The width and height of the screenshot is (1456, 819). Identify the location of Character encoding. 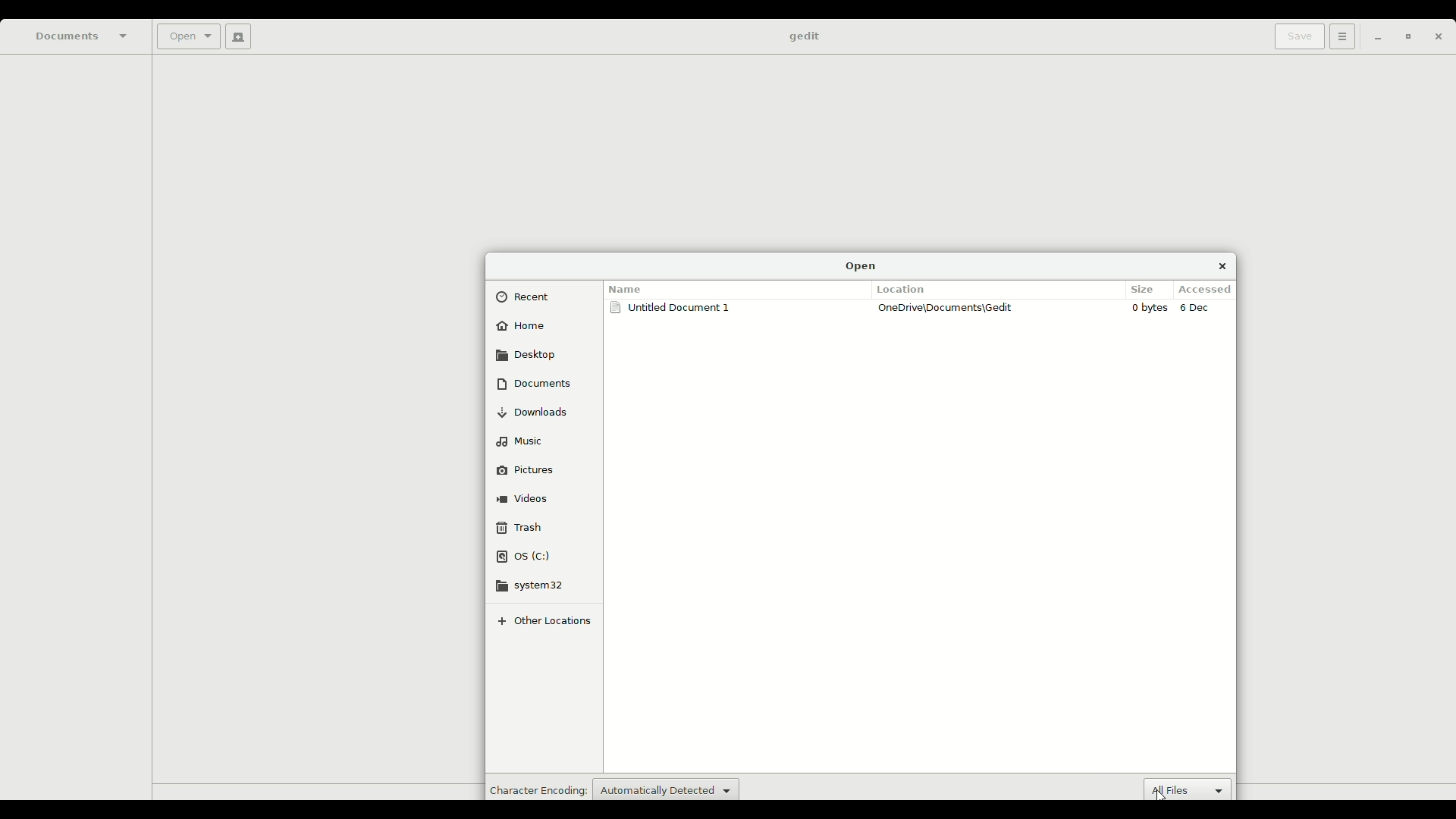
(536, 789).